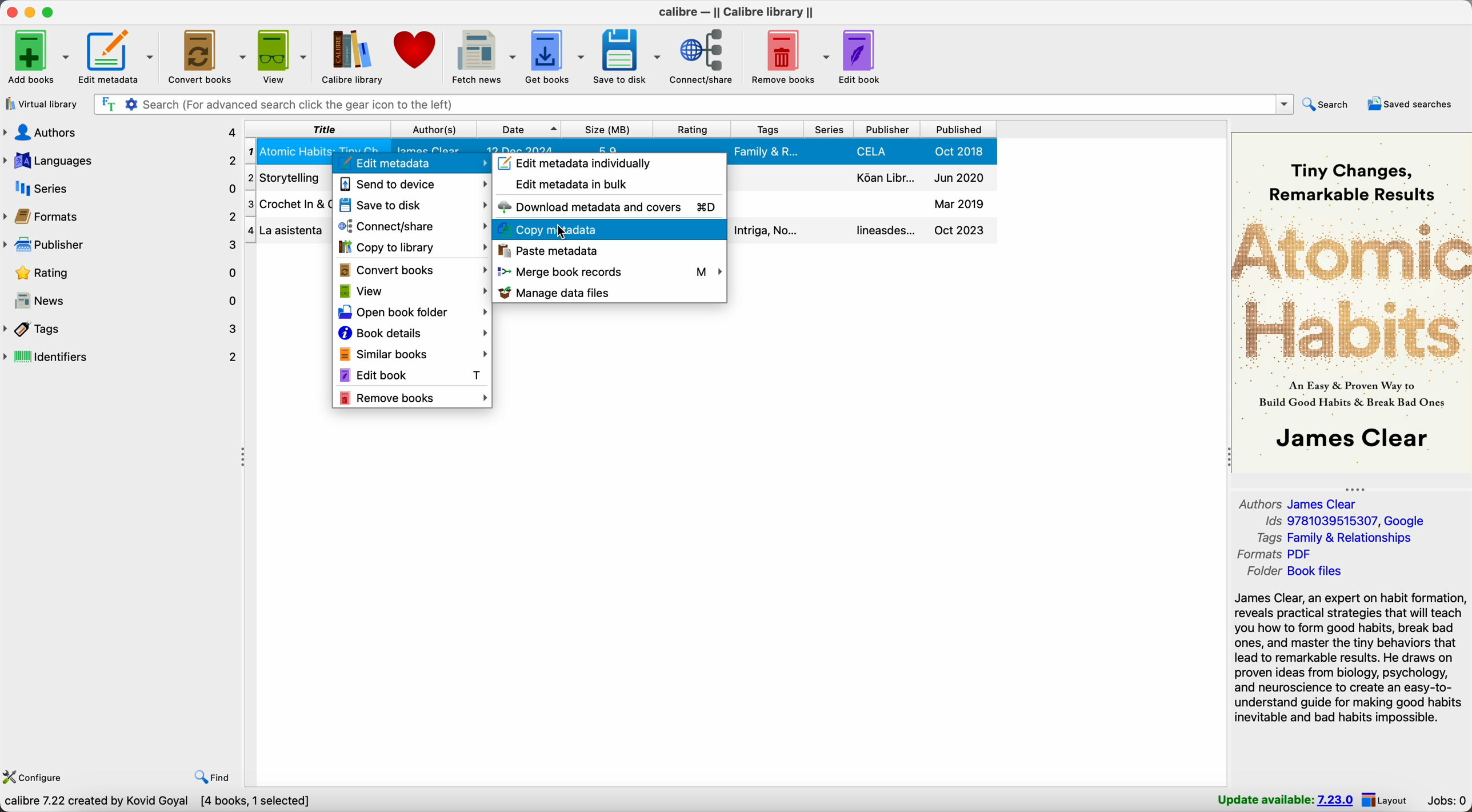 The image size is (1472, 812). I want to click on publisher, so click(890, 129).